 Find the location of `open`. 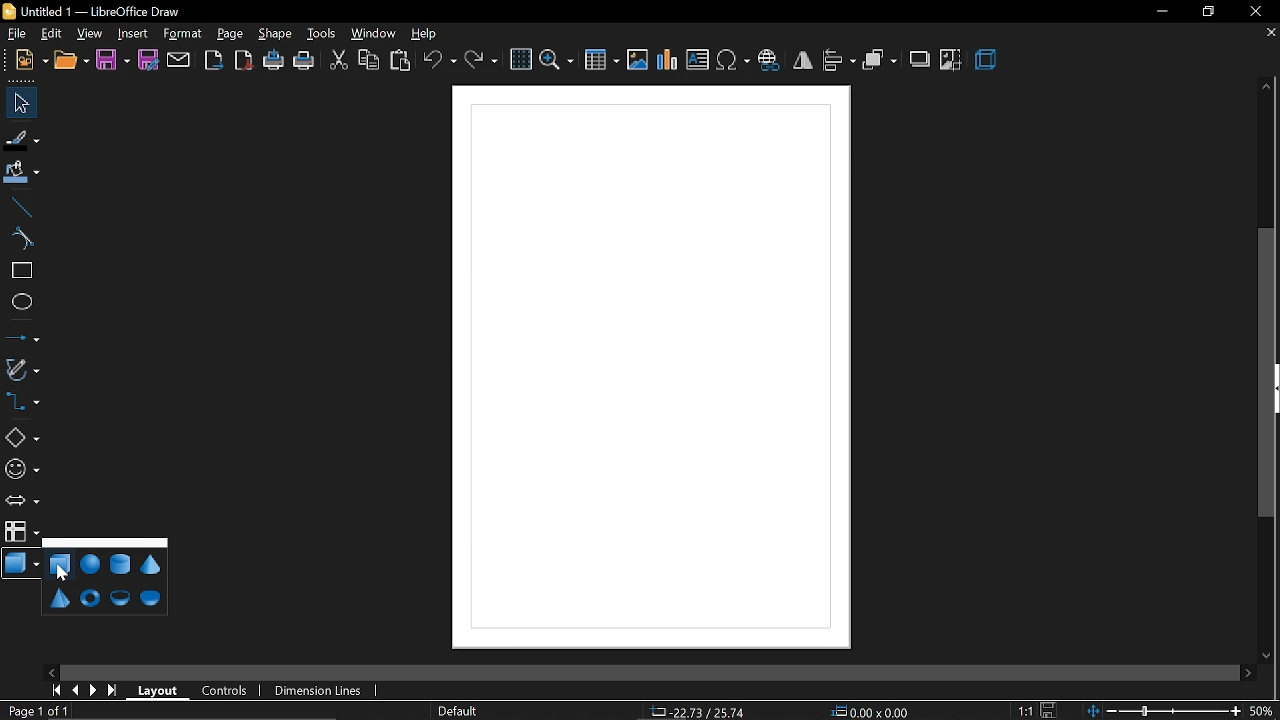

open is located at coordinates (72, 60).